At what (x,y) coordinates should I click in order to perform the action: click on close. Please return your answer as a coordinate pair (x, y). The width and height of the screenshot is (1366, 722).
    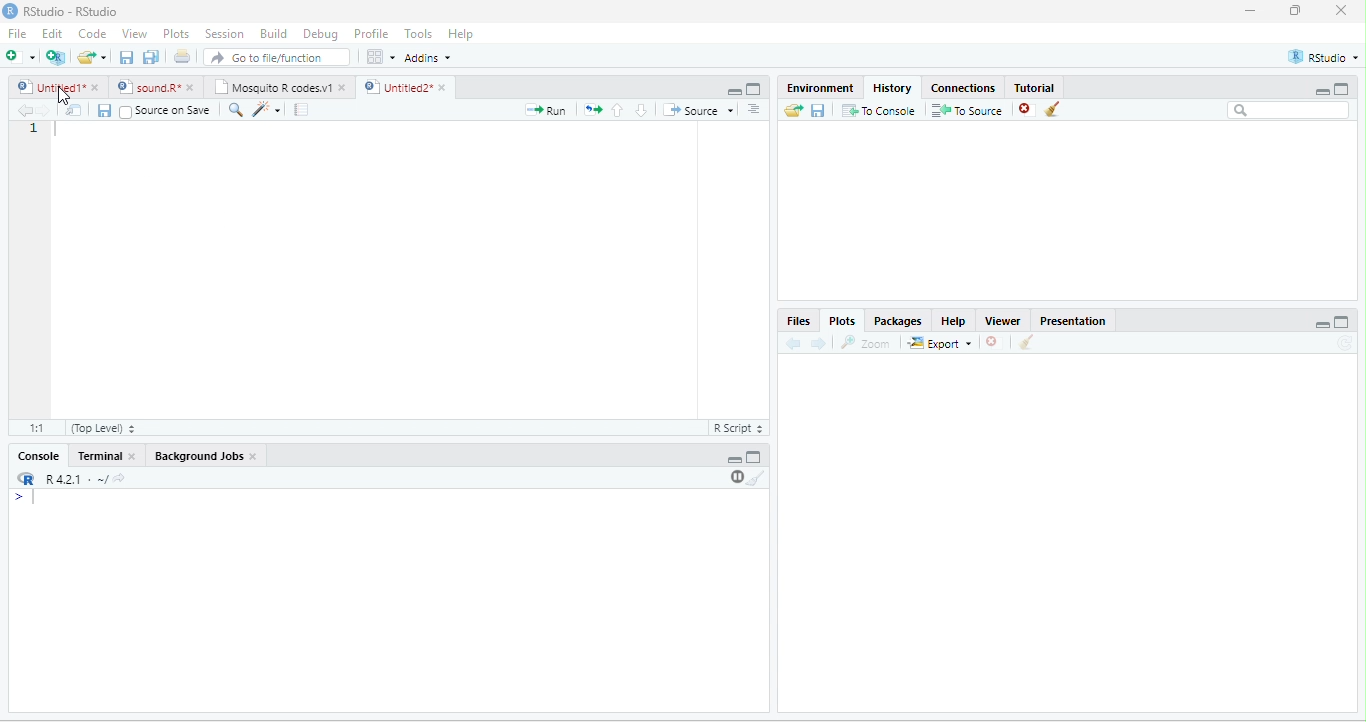
    Looking at the image, I should click on (97, 87).